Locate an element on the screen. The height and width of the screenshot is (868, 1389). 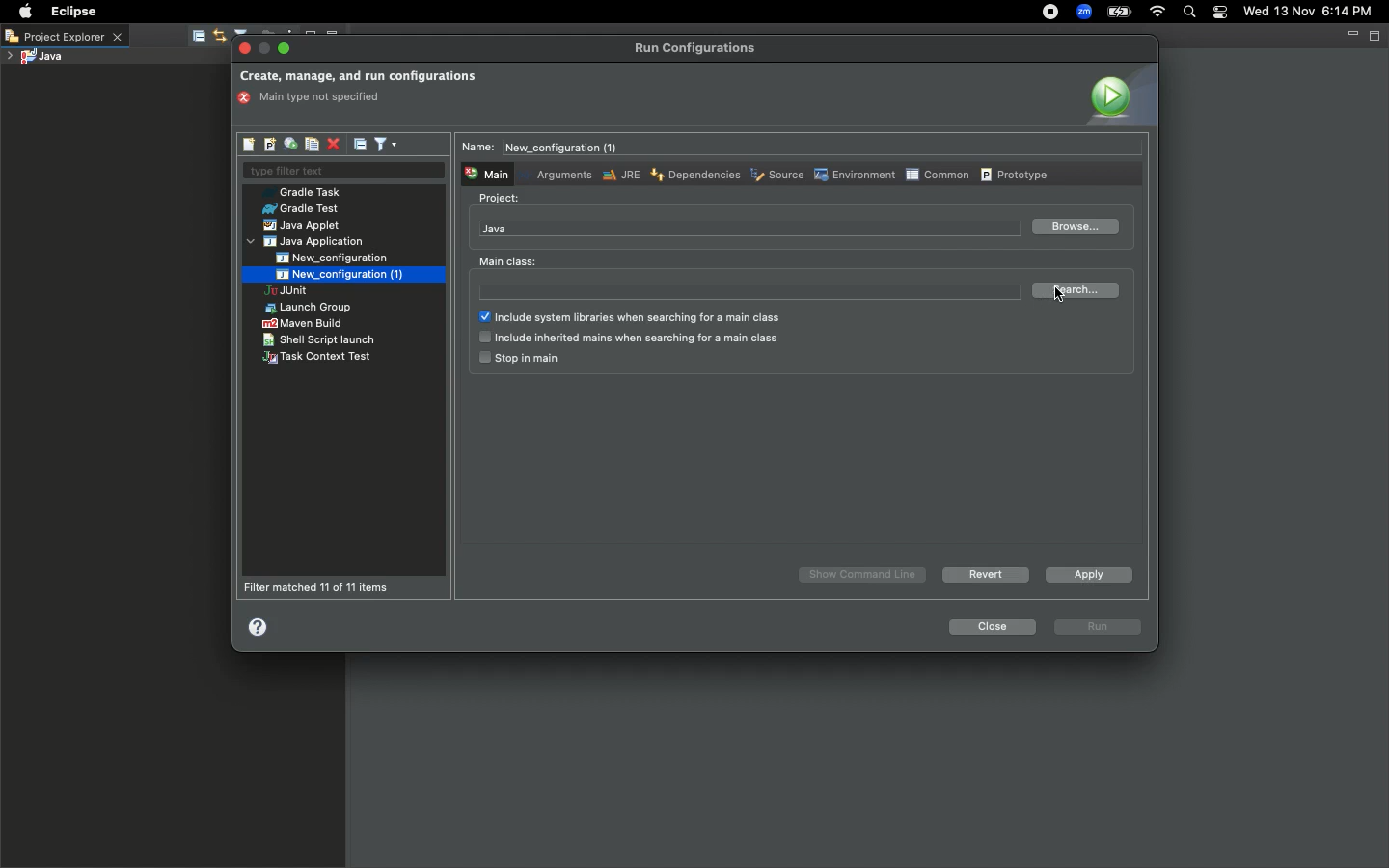
Project is located at coordinates (500, 199).